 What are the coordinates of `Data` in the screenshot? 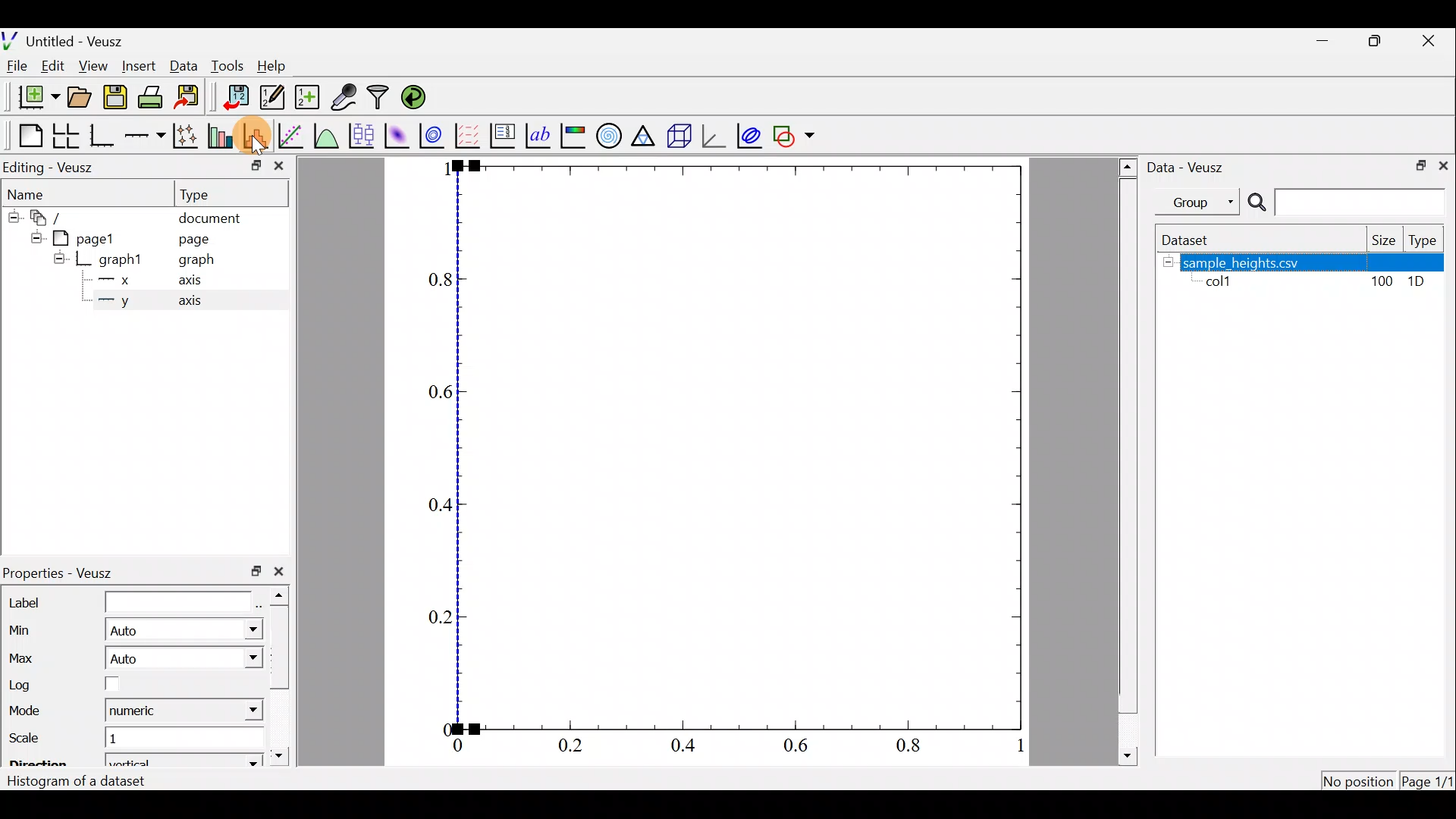 It's located at (184, 68).